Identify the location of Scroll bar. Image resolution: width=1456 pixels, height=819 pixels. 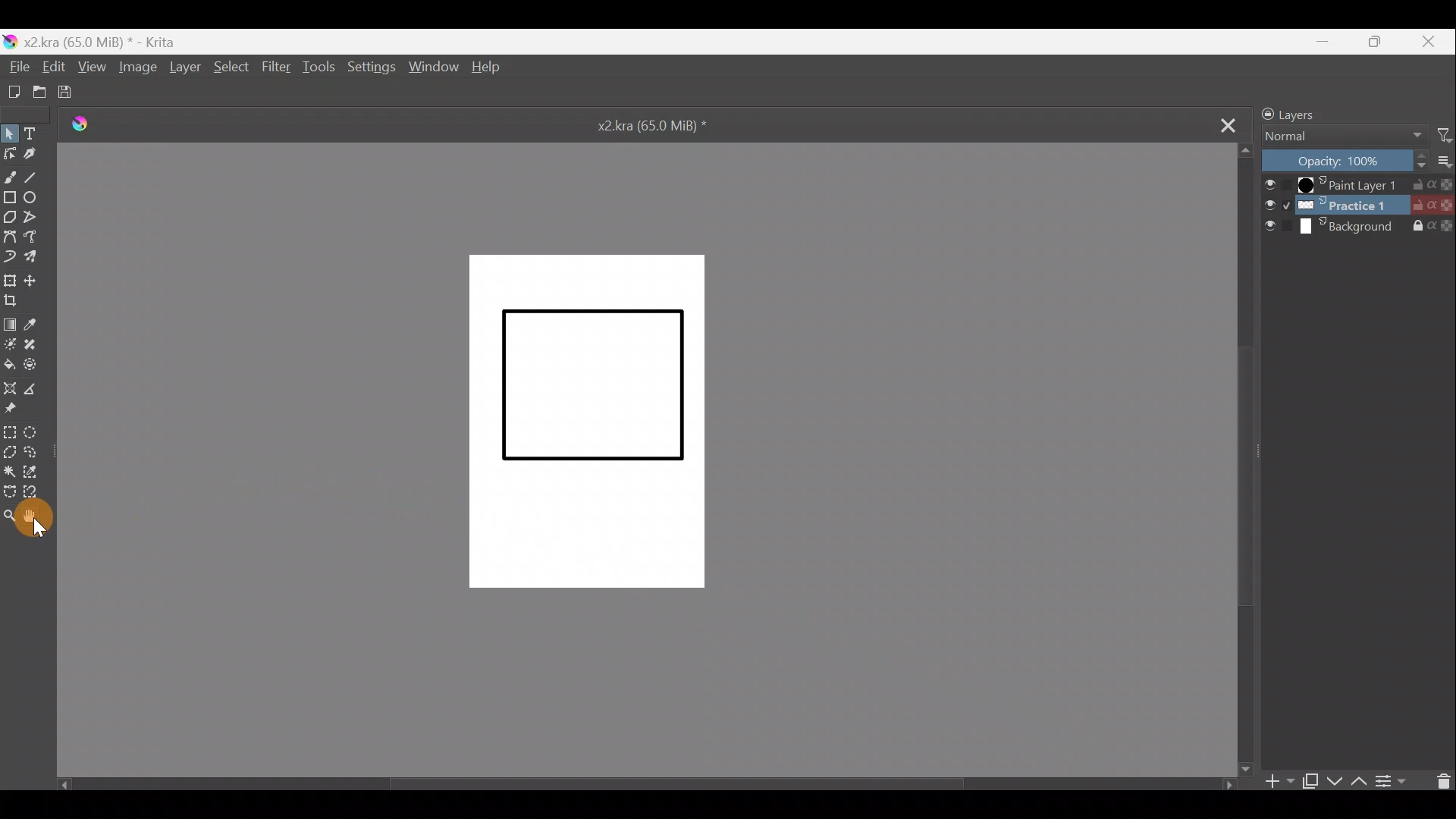
(644, 787).